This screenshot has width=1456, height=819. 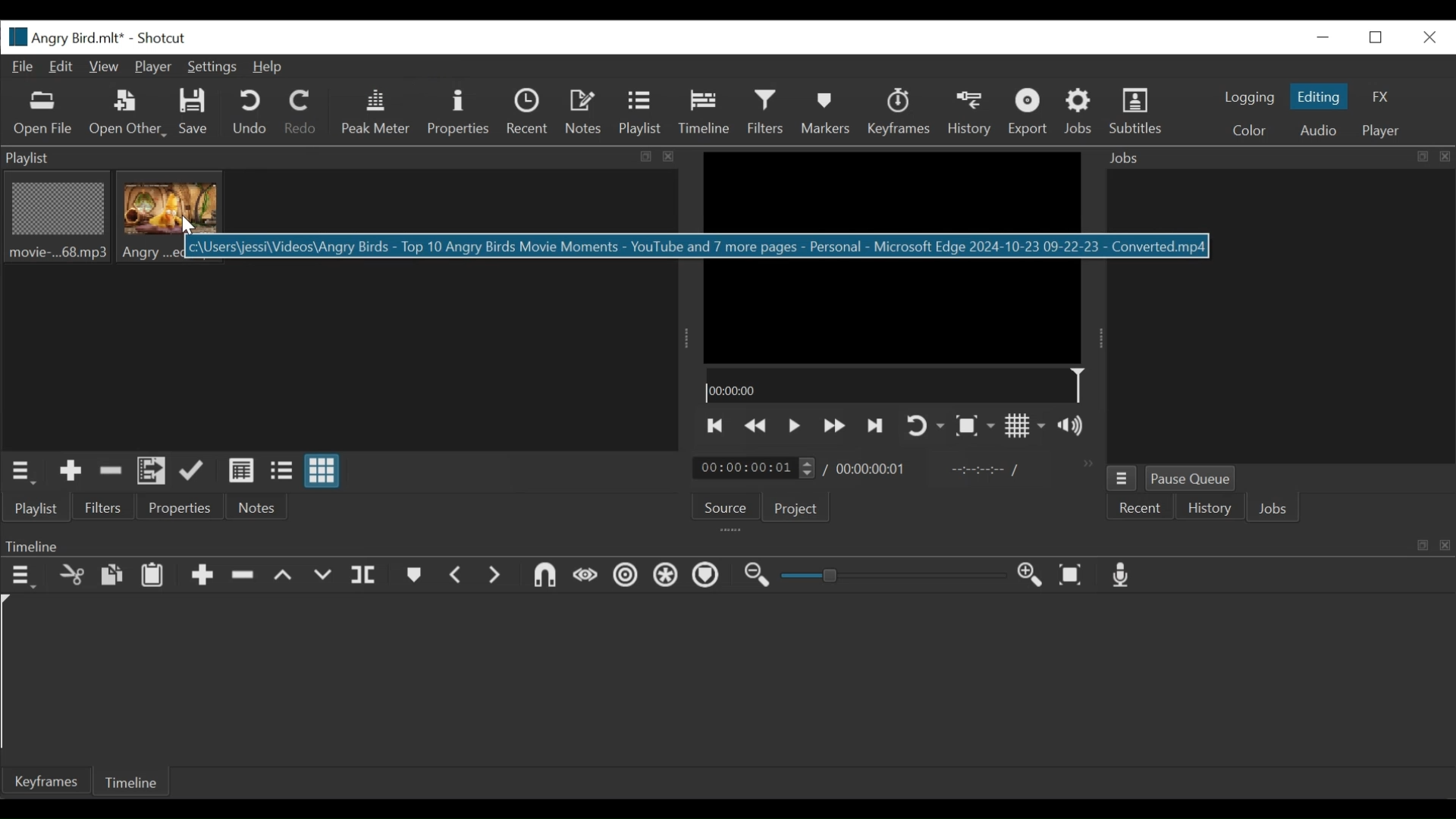 What do you see at coordinates (1208, 507) in the screenshot?
I see `History` at bounding box center [1208, 507].